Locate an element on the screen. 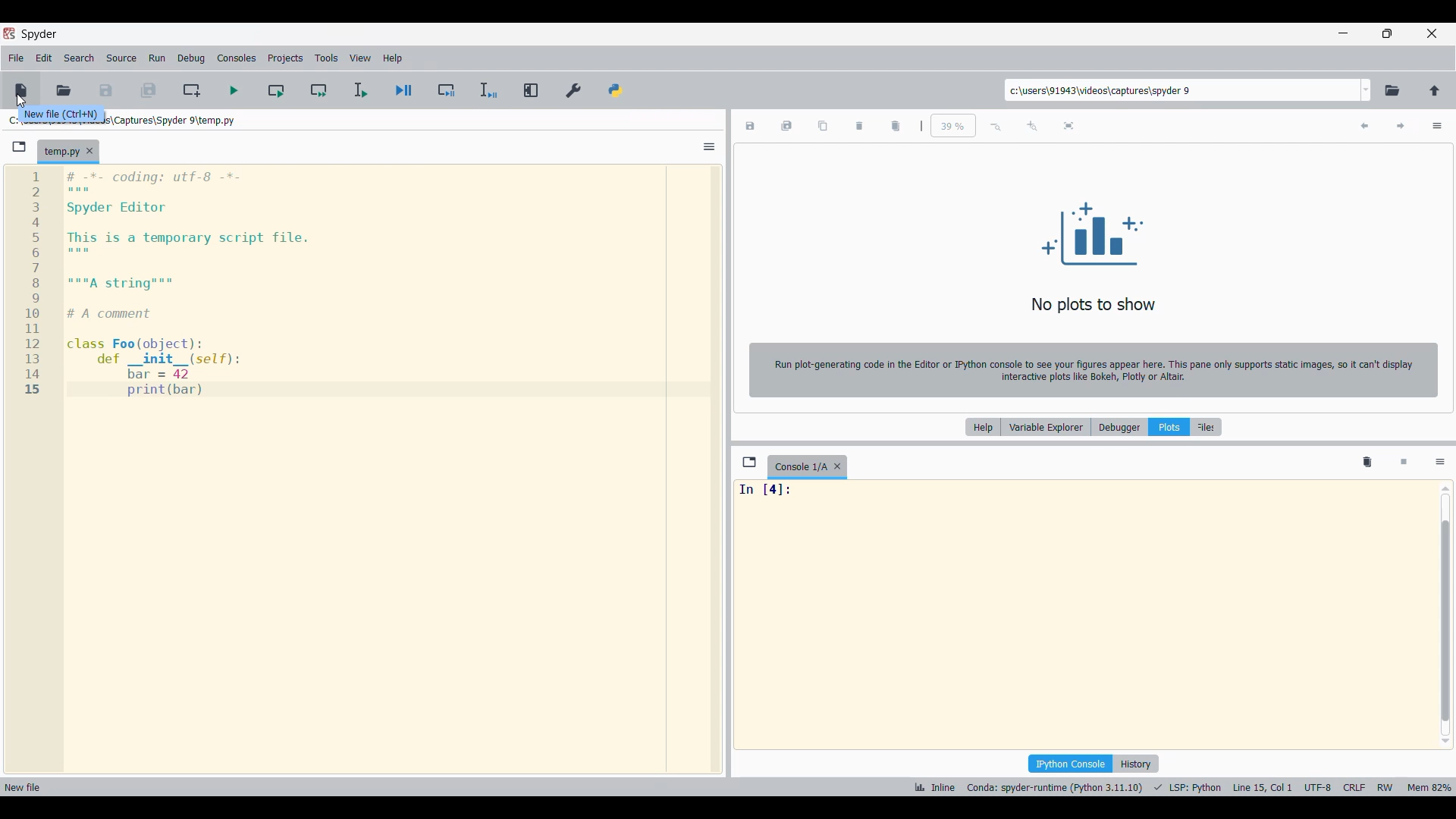 The height and width of the screenshot is (819, 1456). Variable explorer is located at coordinates (1045, 427).